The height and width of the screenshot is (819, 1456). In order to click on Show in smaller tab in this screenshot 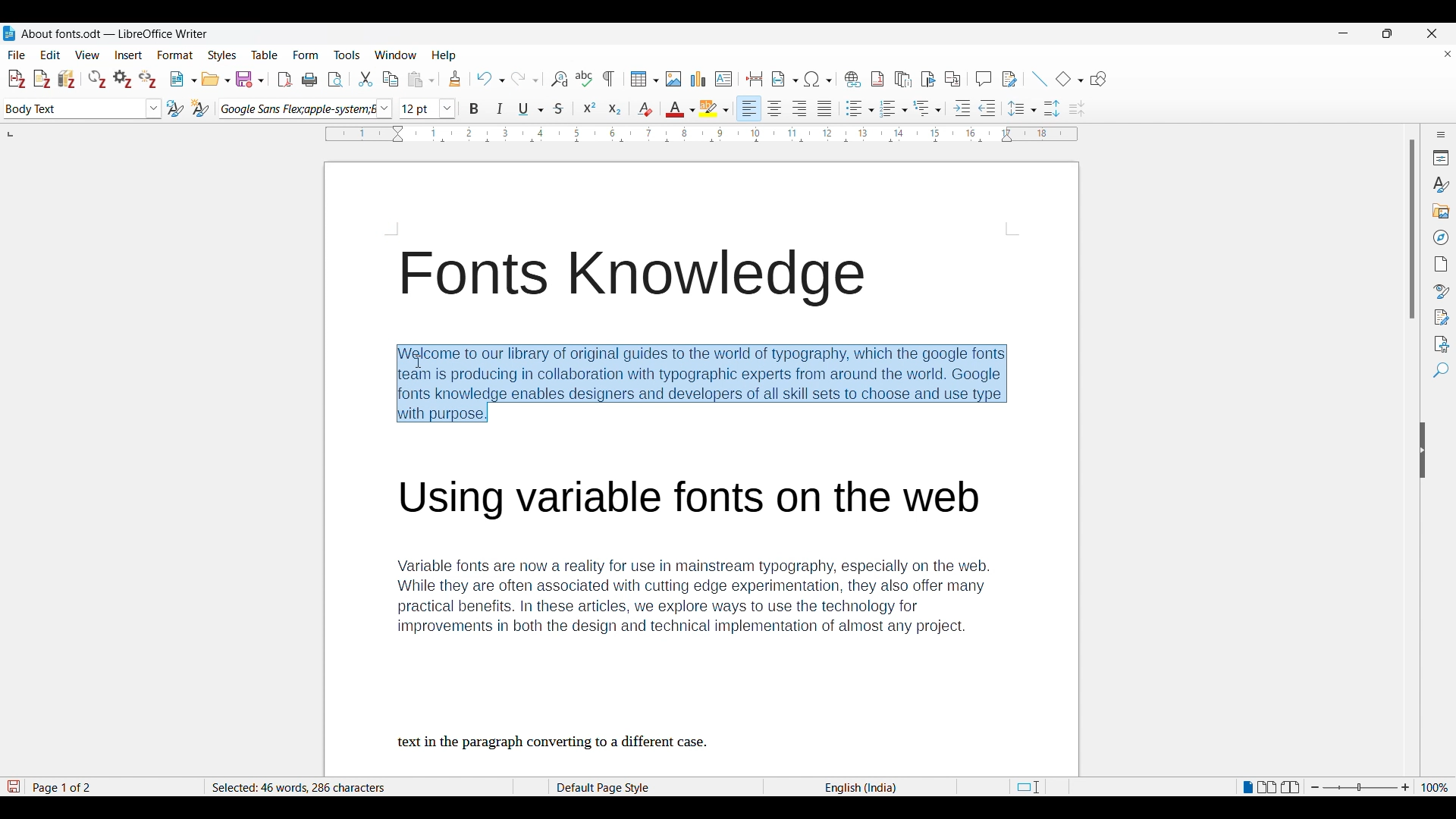, I will do `click(1387, 33)`.